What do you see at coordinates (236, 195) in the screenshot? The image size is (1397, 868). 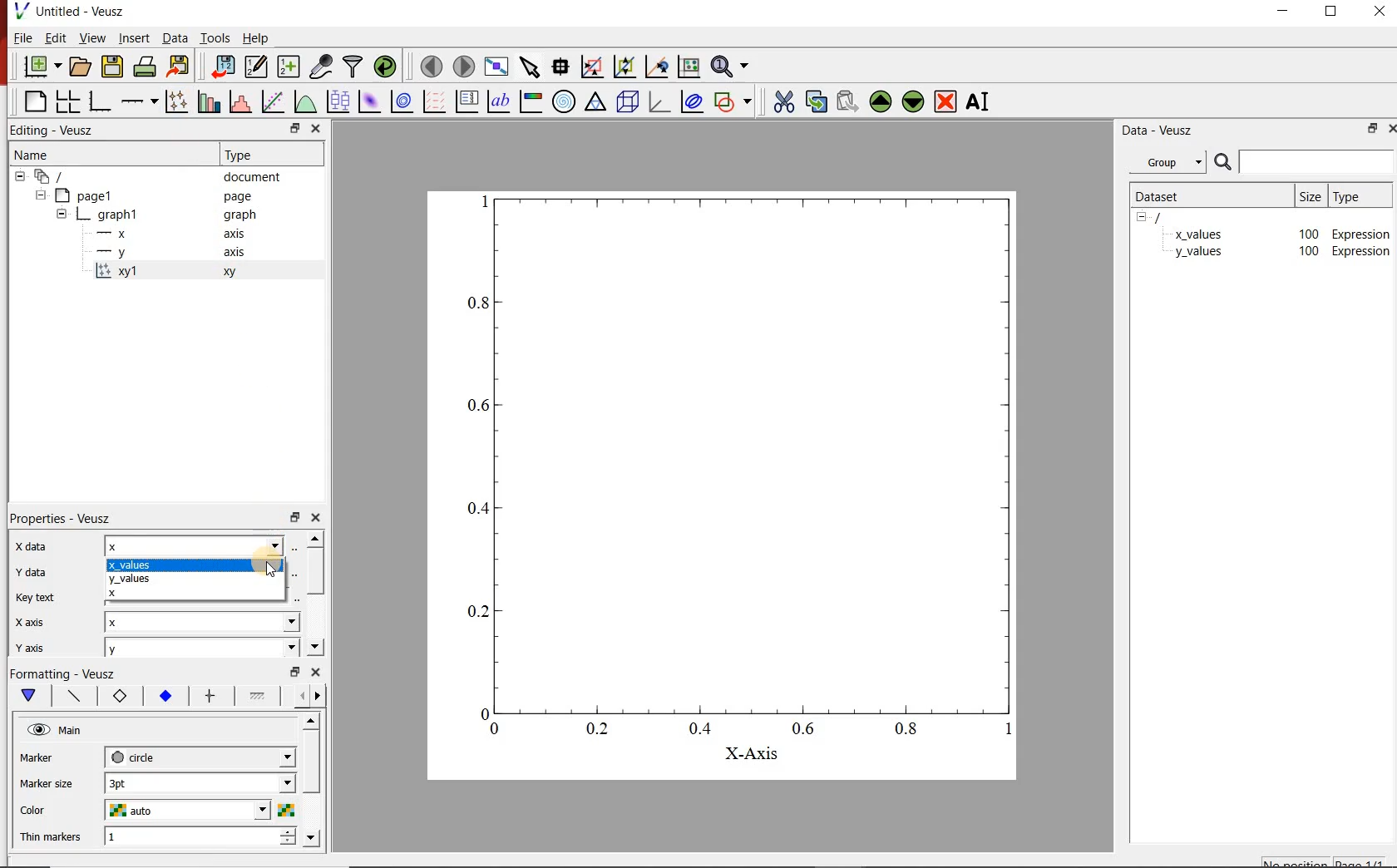 I see `page` at bounding box center [236, 195].